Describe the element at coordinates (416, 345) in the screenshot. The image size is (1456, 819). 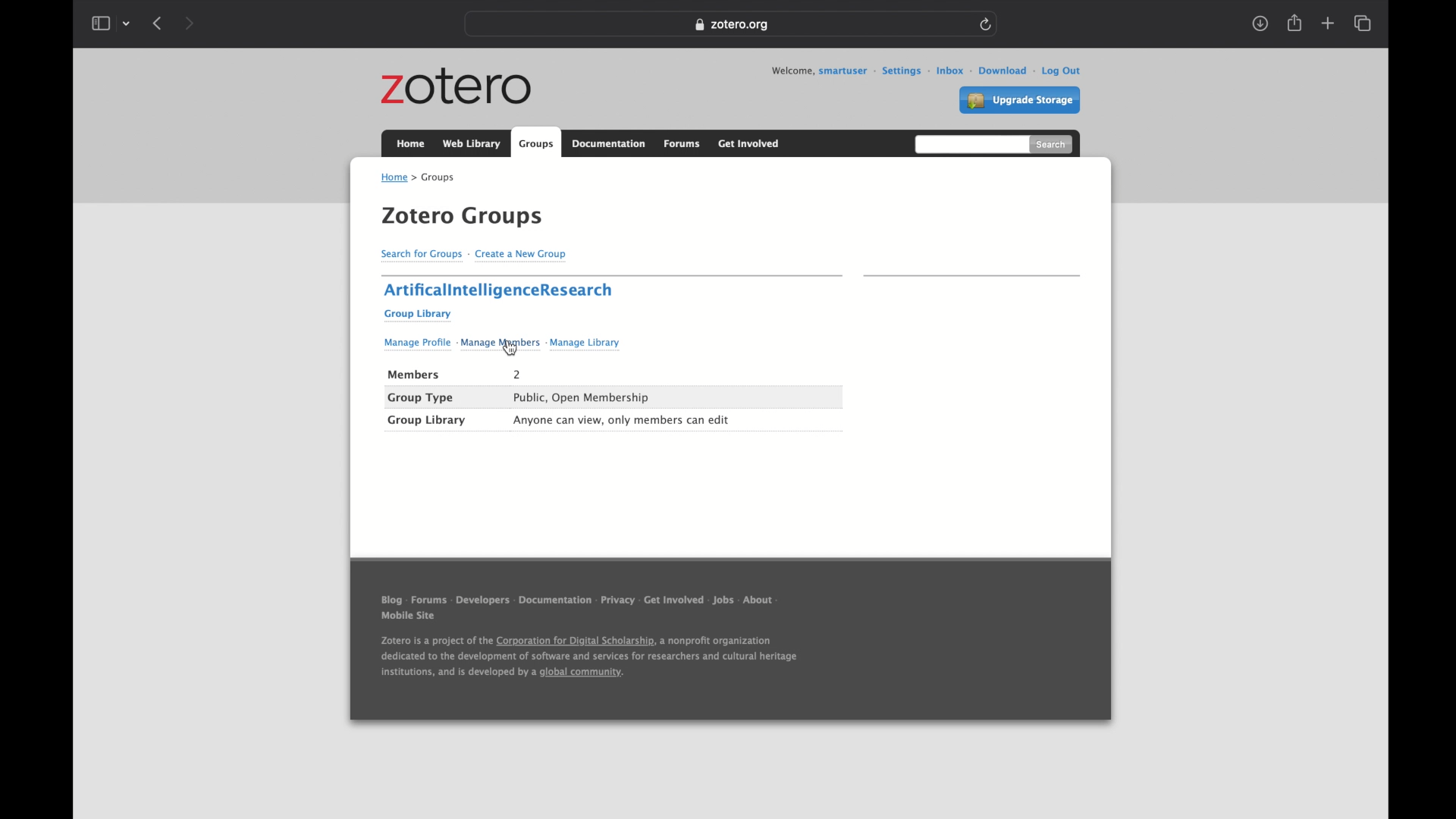
I see `manage profile` at that location.